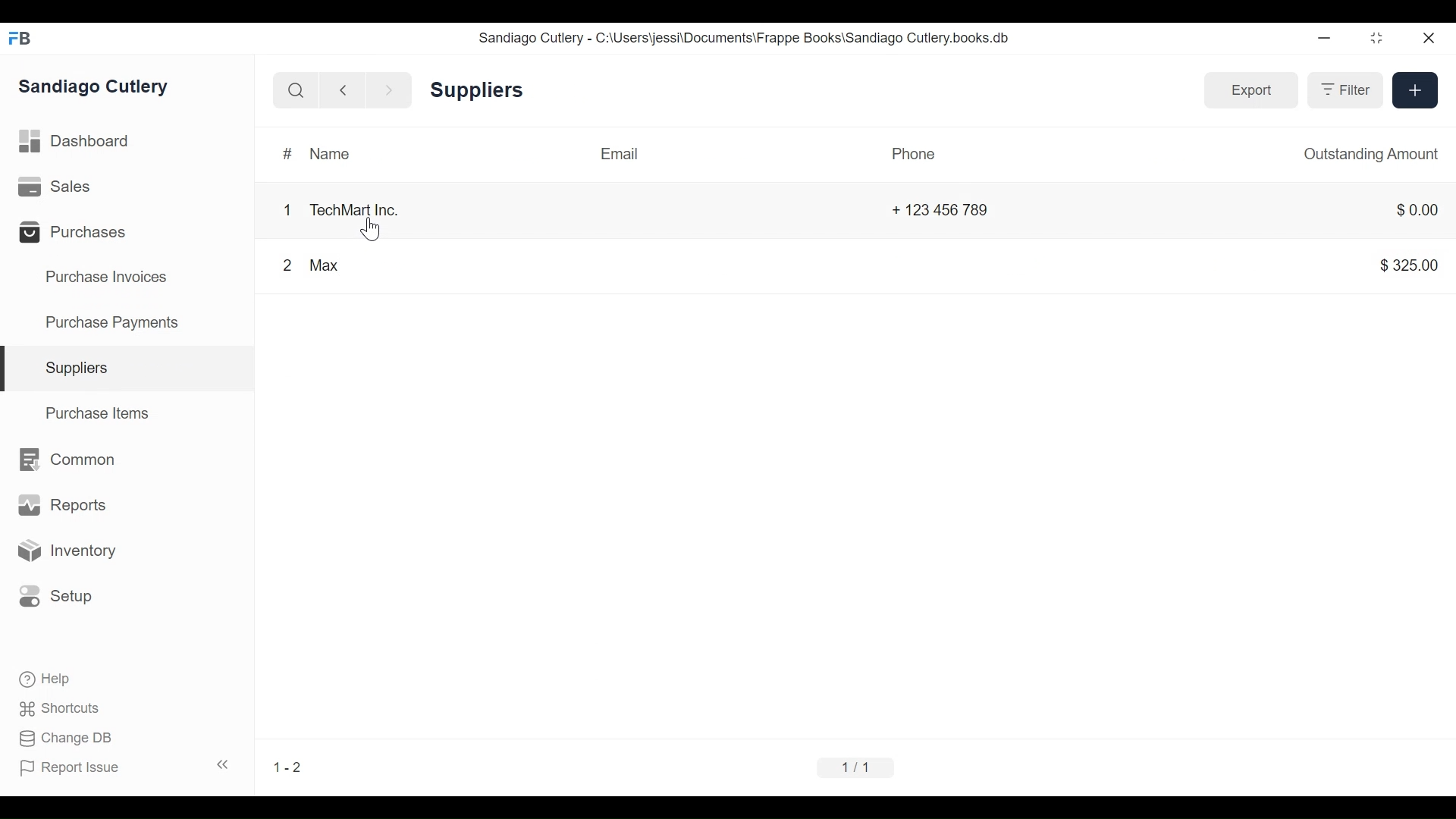 The width and height of the screenshot is (1456, 819). Describe the element at coordinates (290, 755) in the screenshot. I see `1-2` at that location.